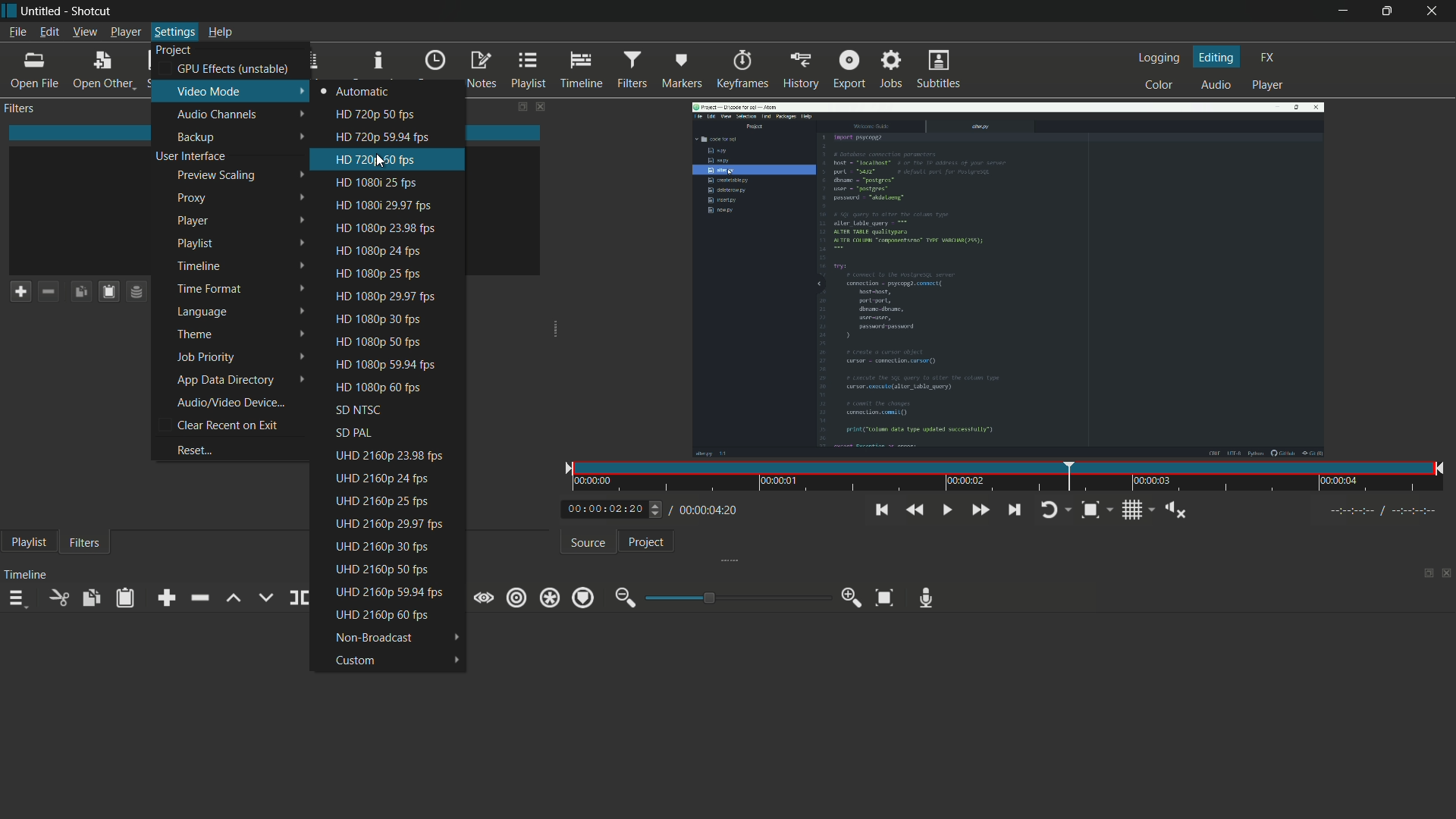 The height and width of the screenshot is (819, 1456). Describe the element at coordinates (17, 599) in the screenshot. I see `timeline menu` at that location.